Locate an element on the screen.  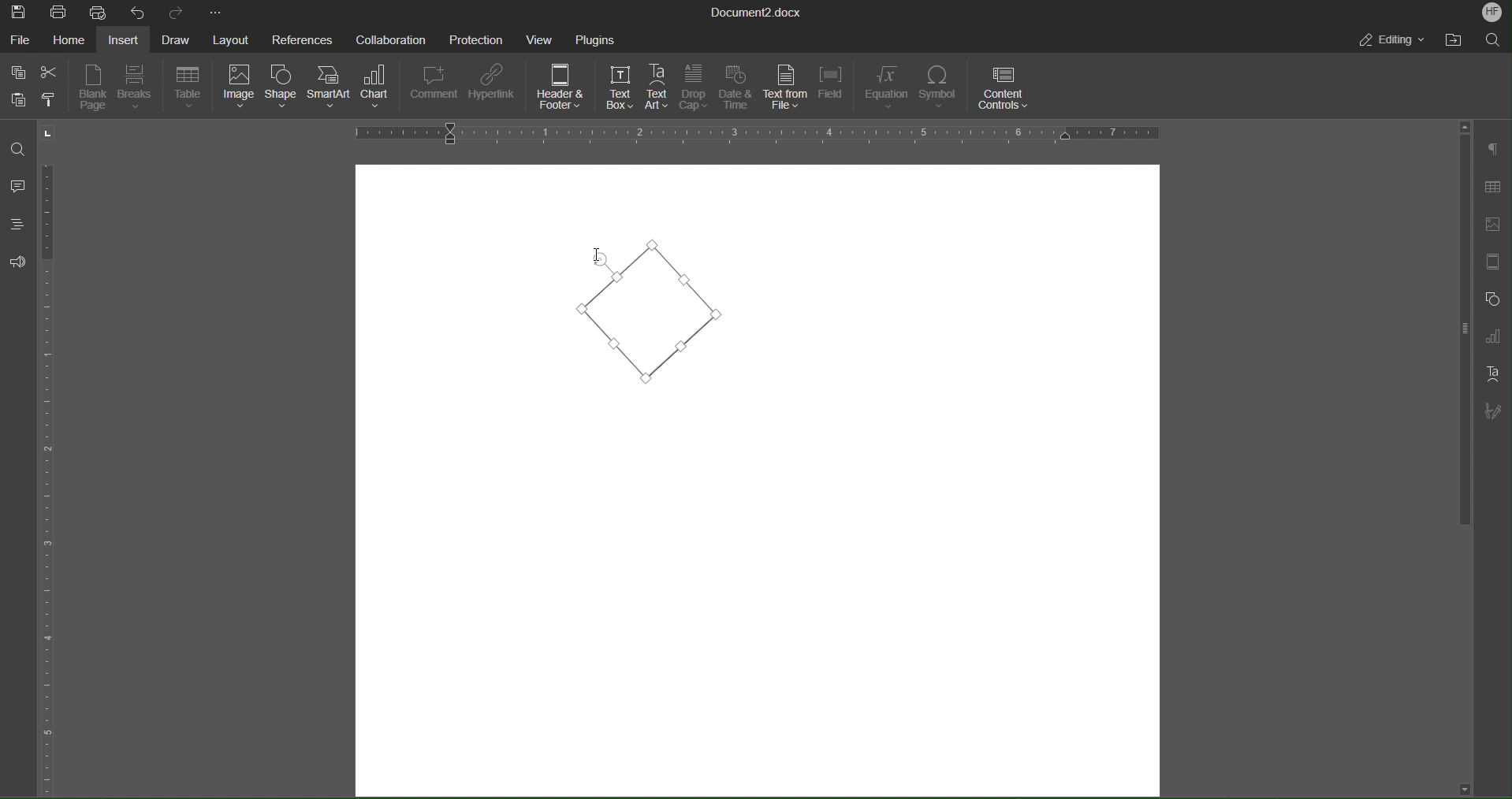
Date & Time is located at coordinates (736, 88).